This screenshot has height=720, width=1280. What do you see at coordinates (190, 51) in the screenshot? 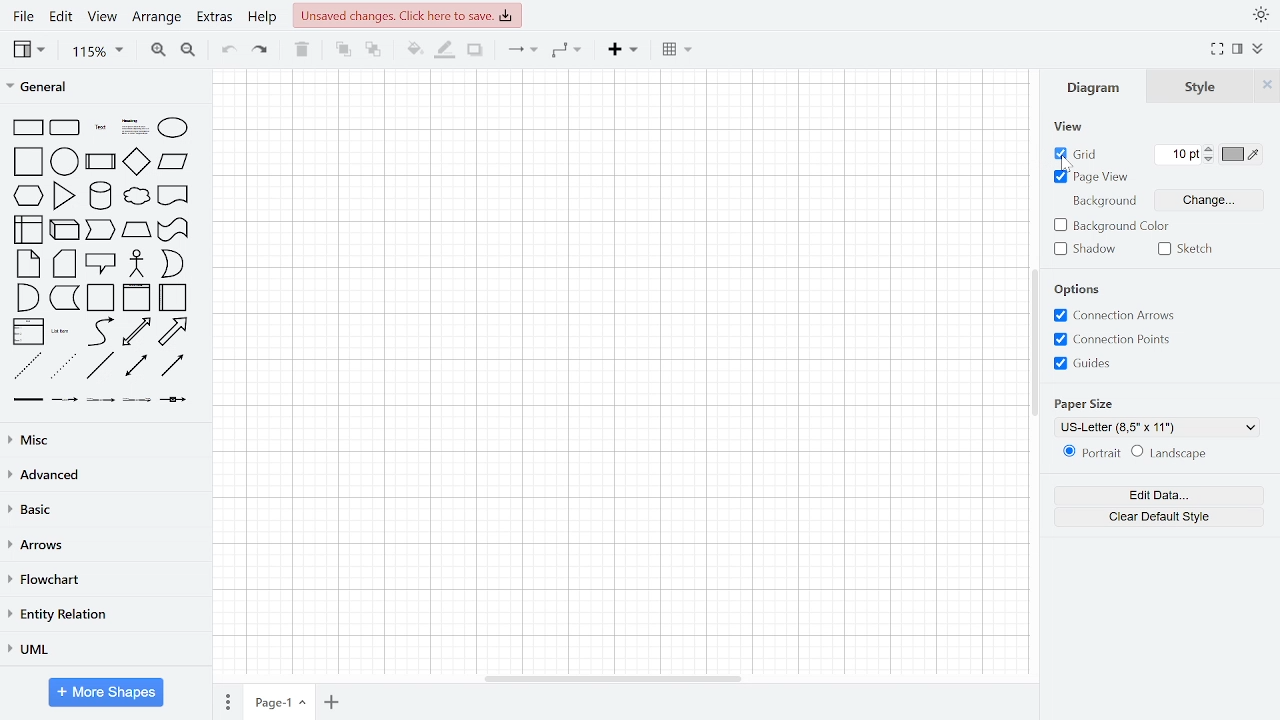
I see `zoom out` at bounding box center [190, 51].